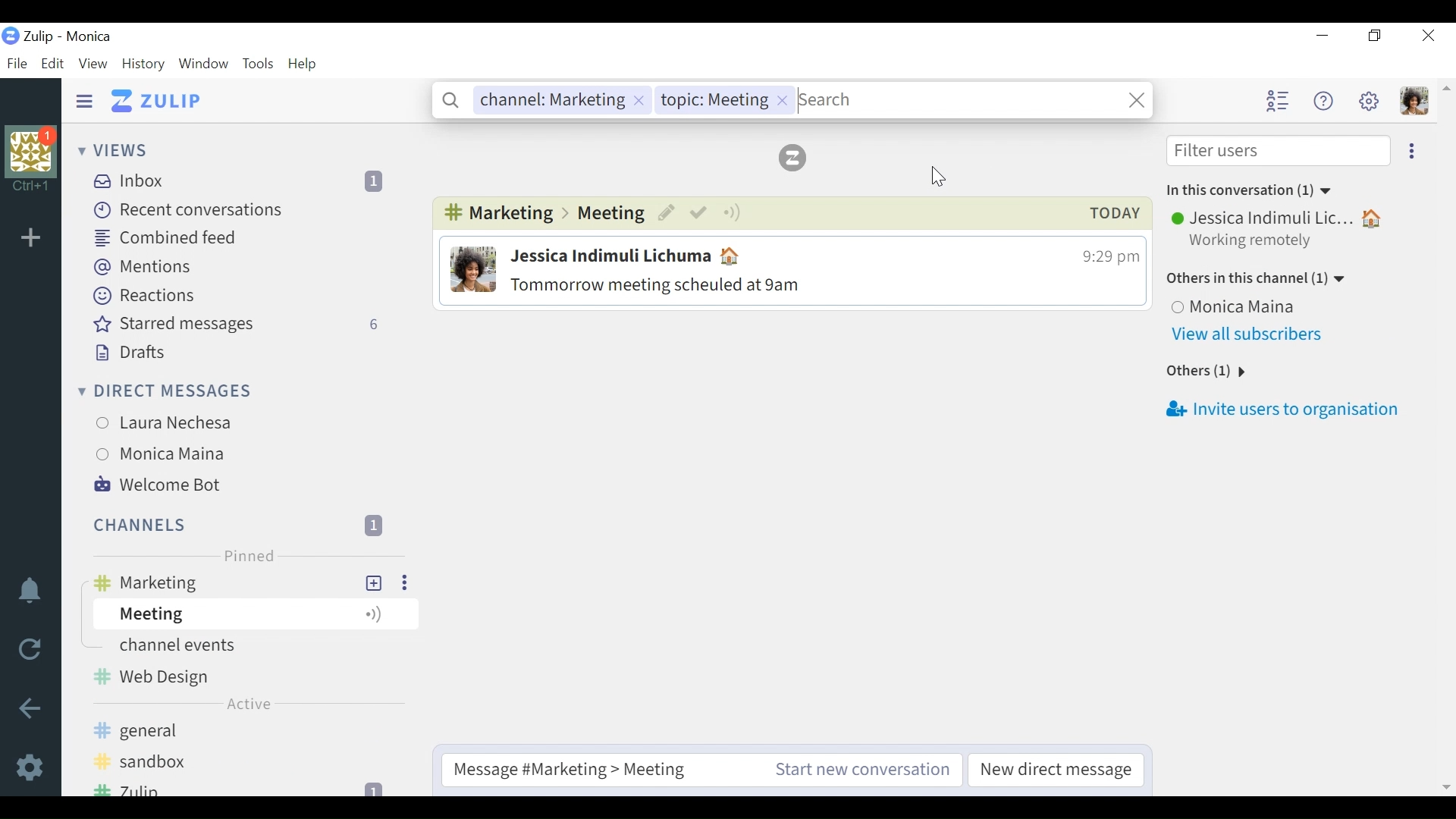 The image size is (1456, 819). Describe the element at coordinates (303, 64) in the screenshot. I see `Help` at that location.